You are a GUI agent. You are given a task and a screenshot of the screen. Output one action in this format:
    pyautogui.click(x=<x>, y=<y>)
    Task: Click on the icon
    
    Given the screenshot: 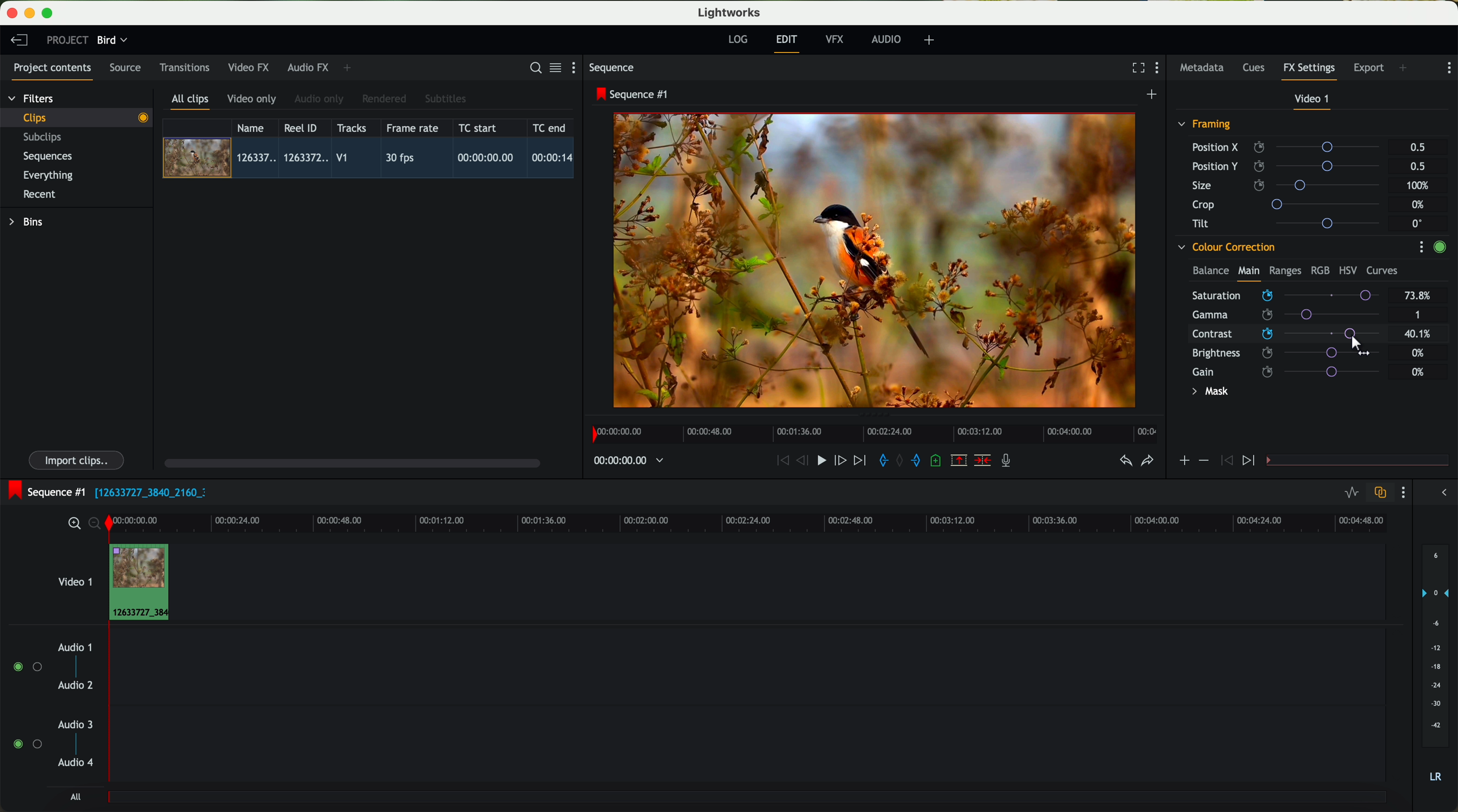 What is the action you would take?
    pyautogui.click(x=1250, y=461)
    